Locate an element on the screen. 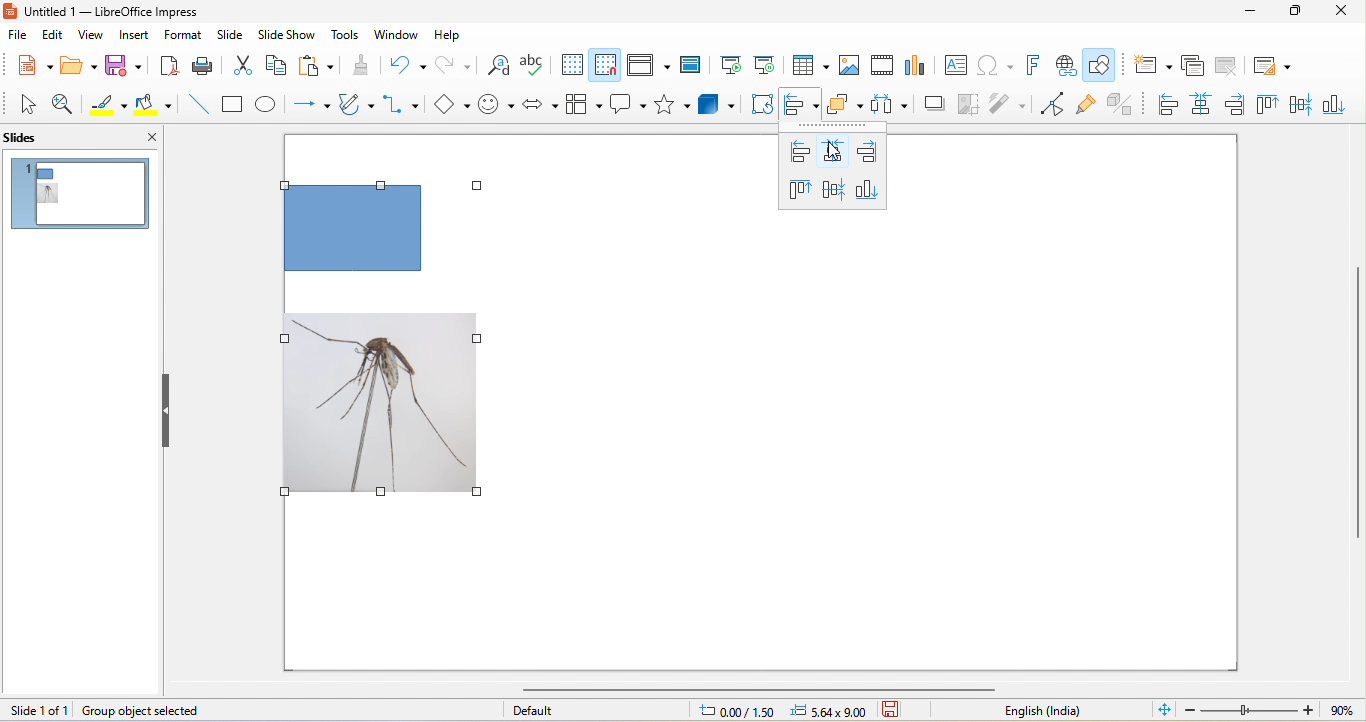 This screenshot has height=722, width=1366. help is located at coordinates (452, 38).